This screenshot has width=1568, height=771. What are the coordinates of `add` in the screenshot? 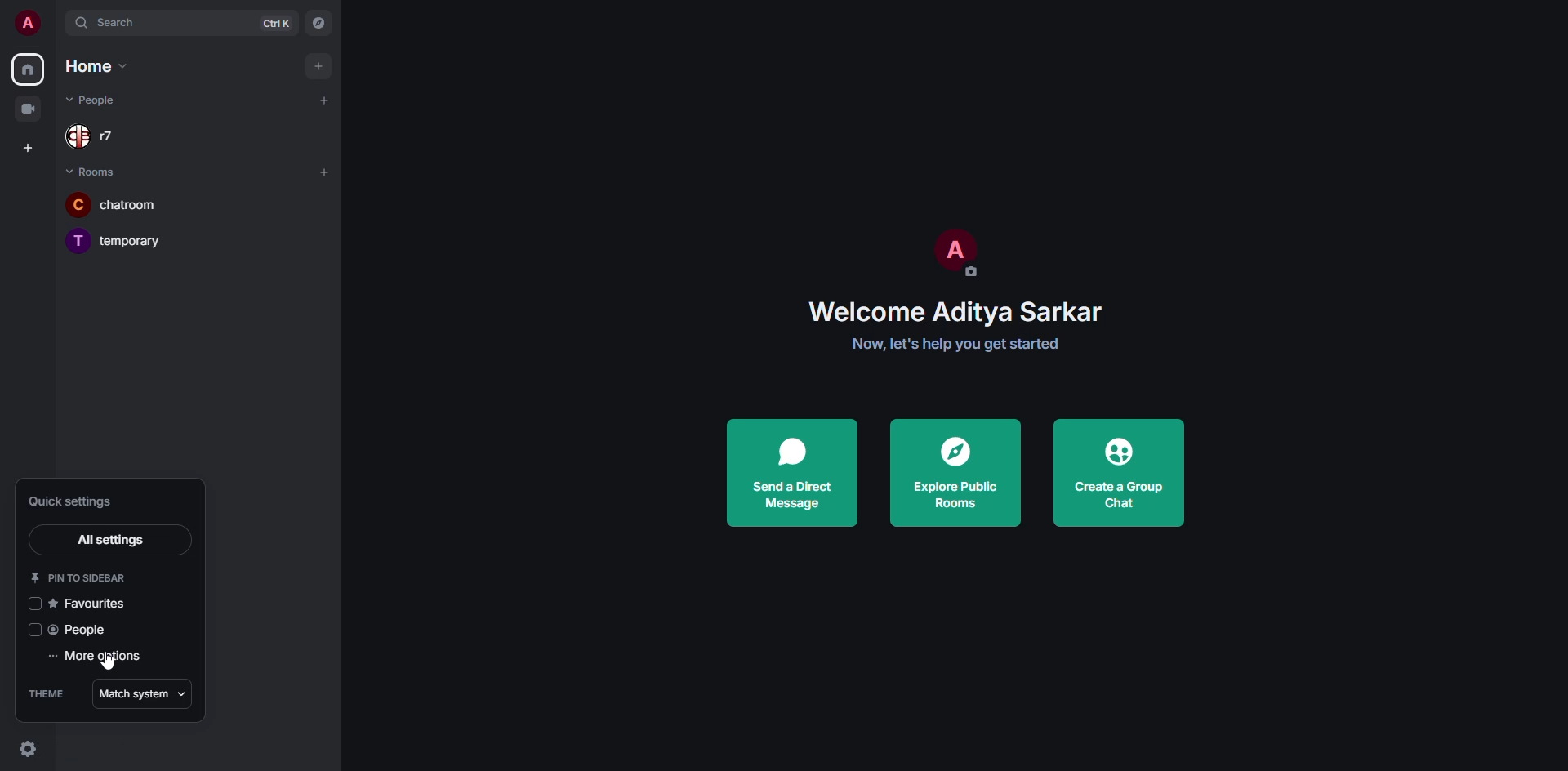 It's located at (324, 172).